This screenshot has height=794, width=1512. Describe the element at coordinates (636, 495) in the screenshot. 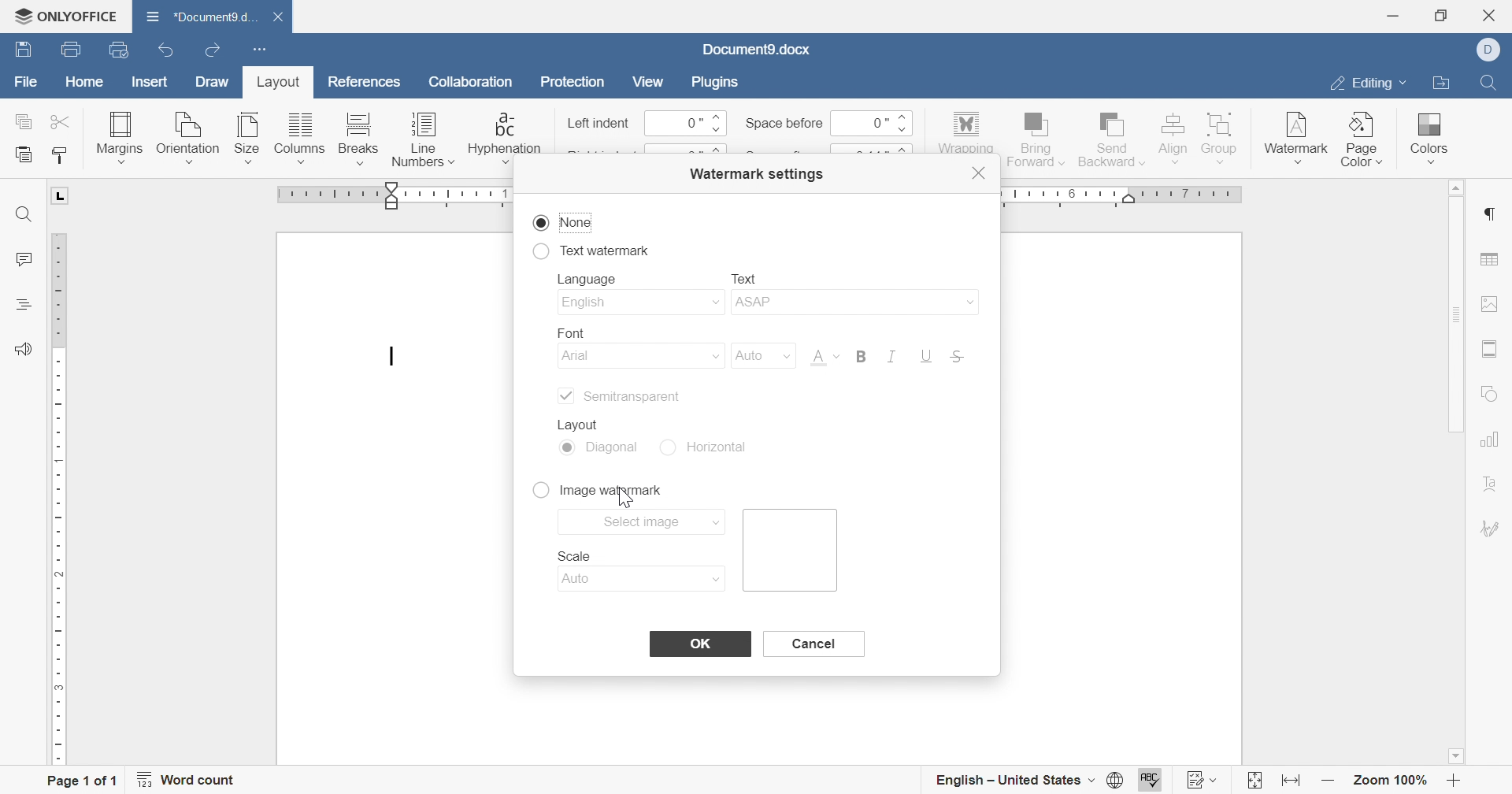

I see `cursor` at that location.